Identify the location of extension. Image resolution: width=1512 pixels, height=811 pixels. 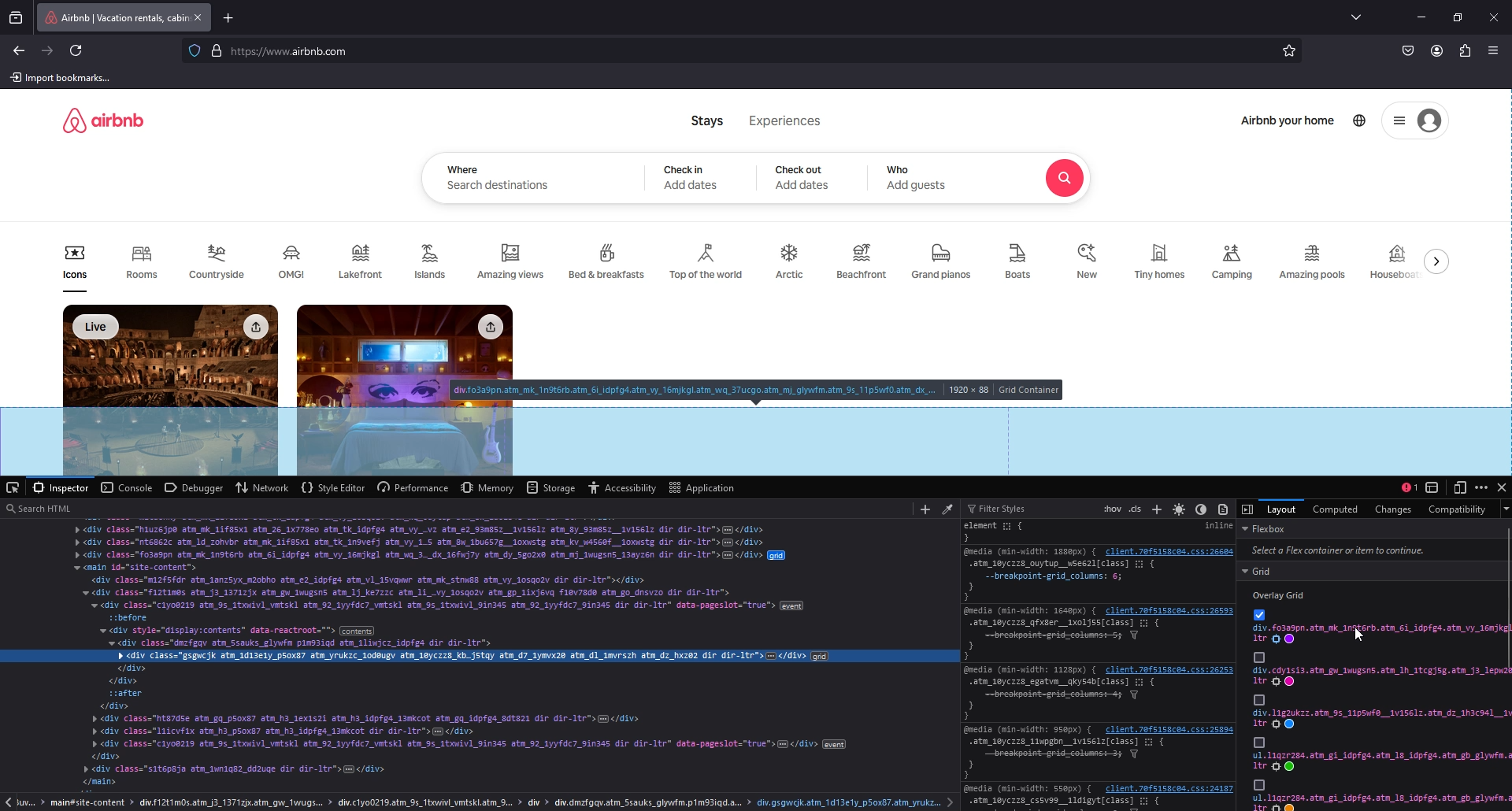
(1465, 52).